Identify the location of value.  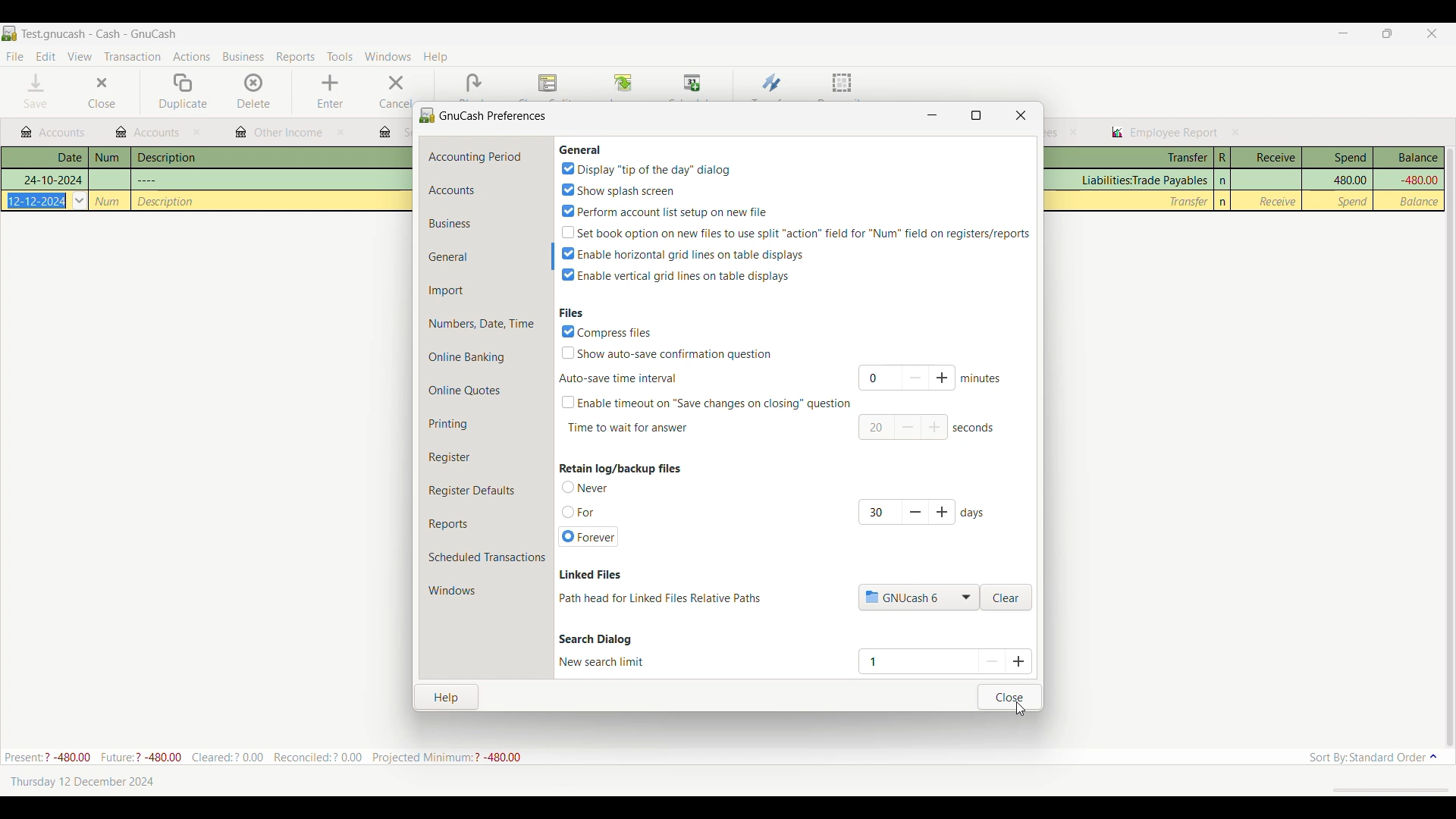
(877, 379).